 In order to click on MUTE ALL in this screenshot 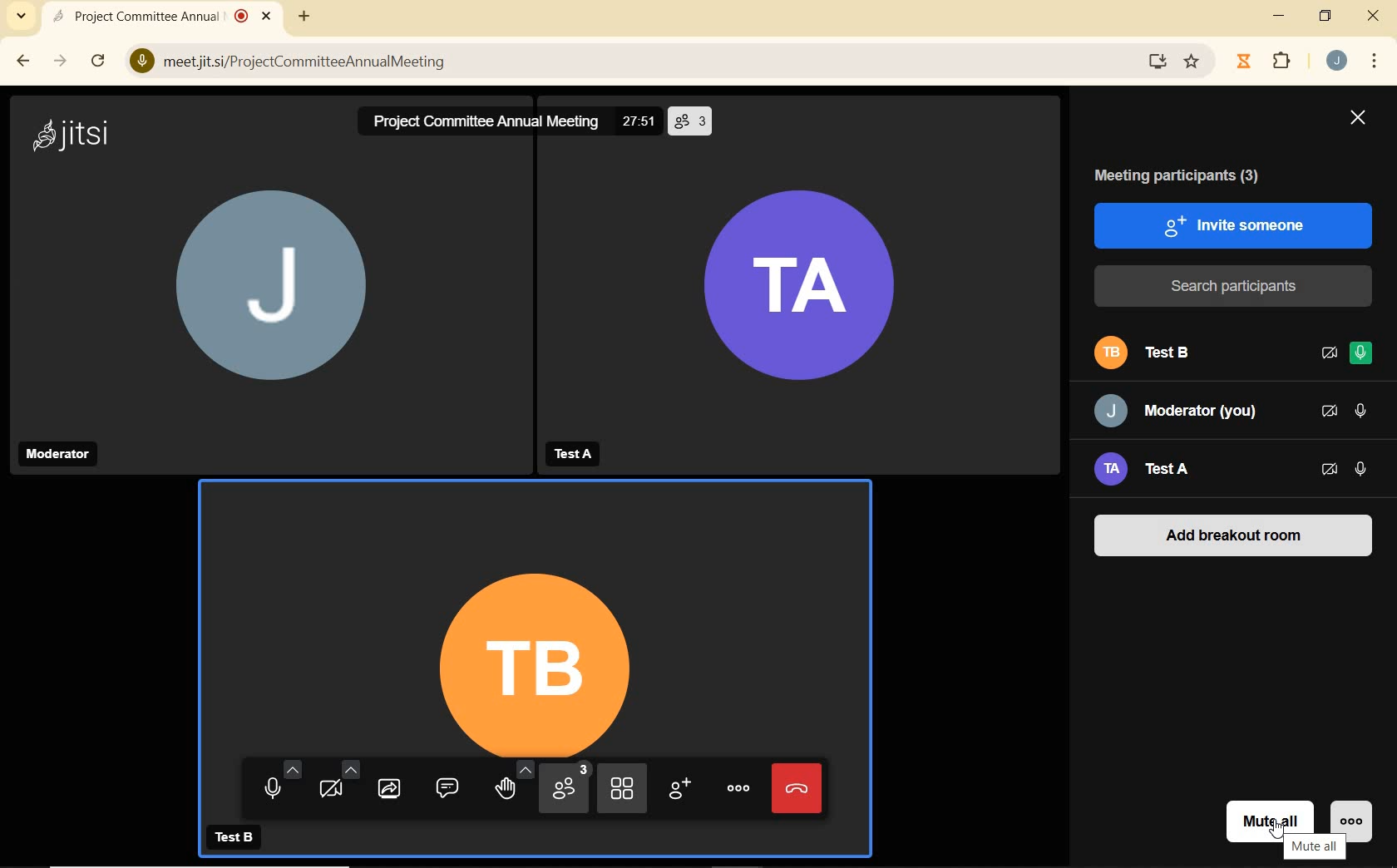, I will do `click(1312, 847)`.